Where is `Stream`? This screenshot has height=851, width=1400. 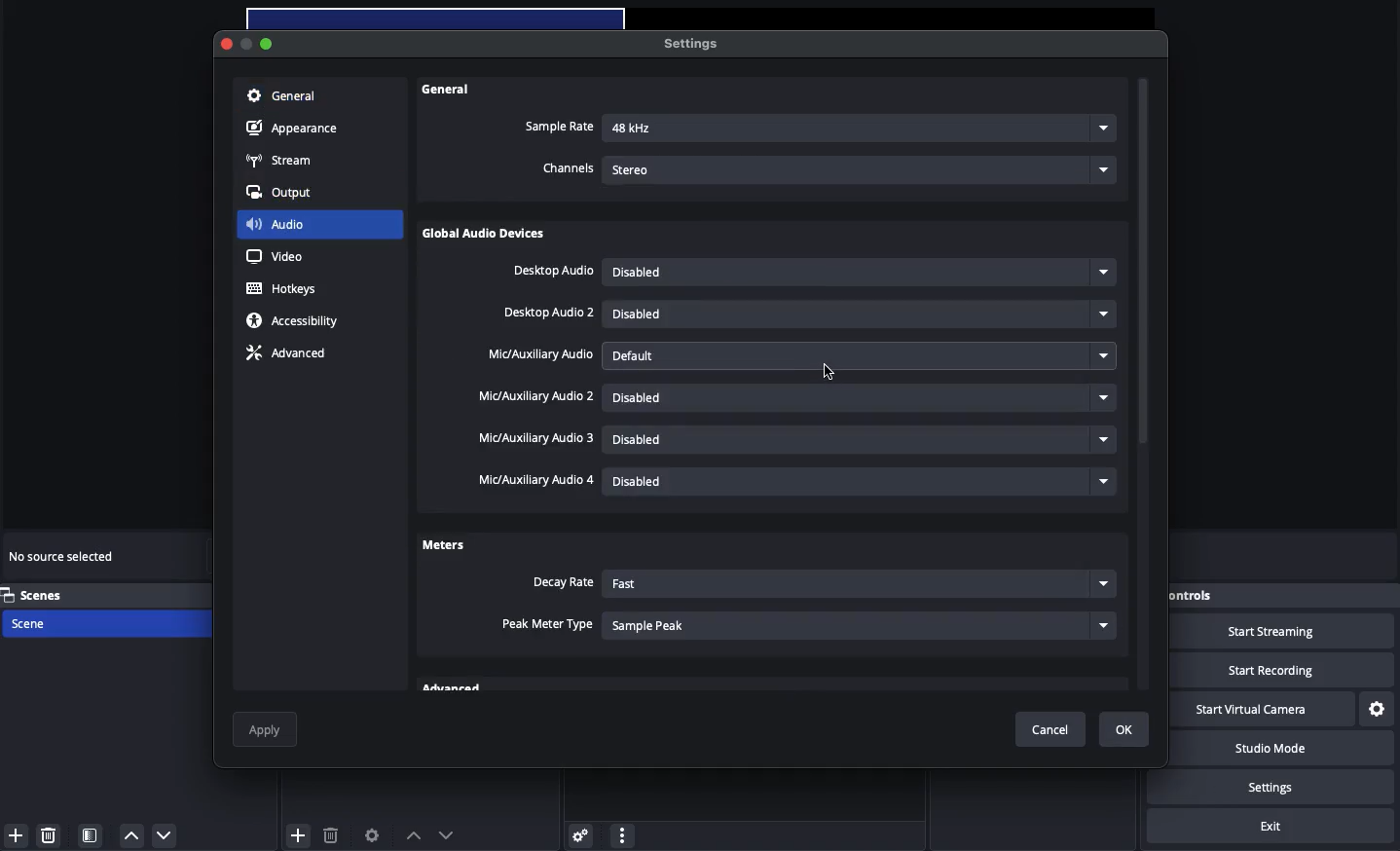
Stream is located at coordinates (280, 162).